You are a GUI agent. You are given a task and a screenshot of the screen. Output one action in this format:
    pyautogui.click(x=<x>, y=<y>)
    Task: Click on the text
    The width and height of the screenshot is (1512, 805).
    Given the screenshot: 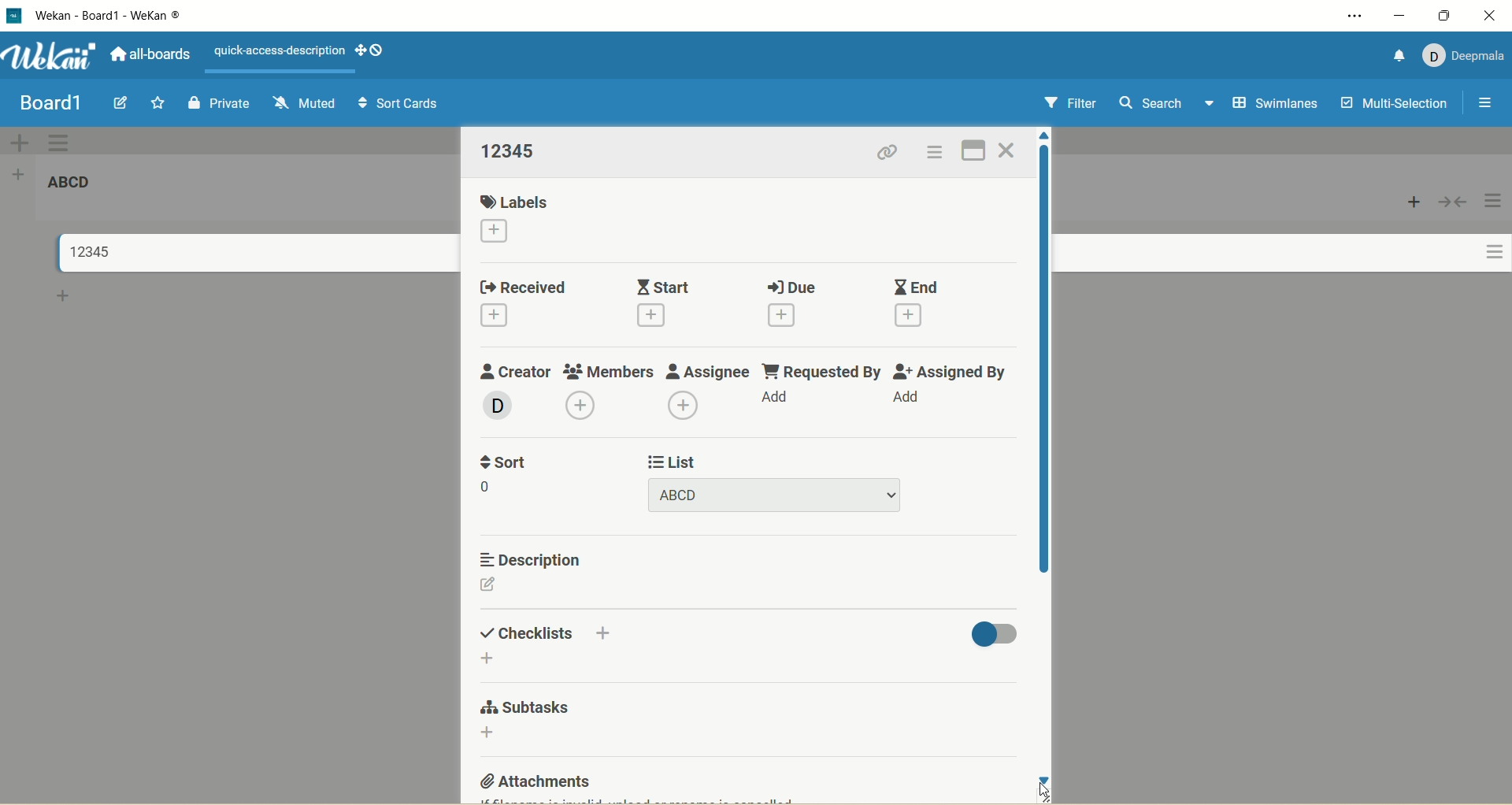 What is the action you would take?
    pyautogui.click(x=280, y=51)
    